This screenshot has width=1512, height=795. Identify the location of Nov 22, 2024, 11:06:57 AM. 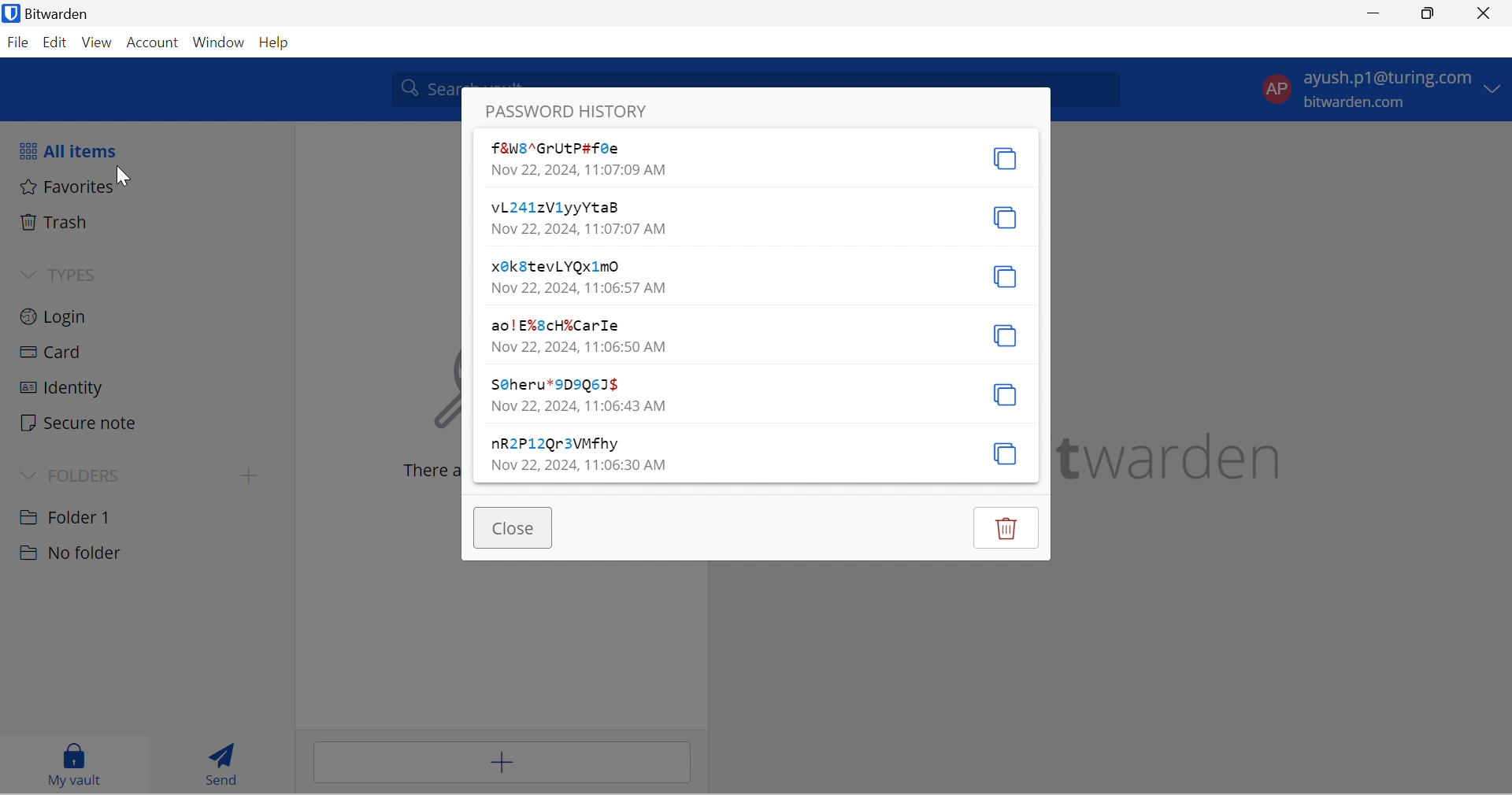
(577, 288).